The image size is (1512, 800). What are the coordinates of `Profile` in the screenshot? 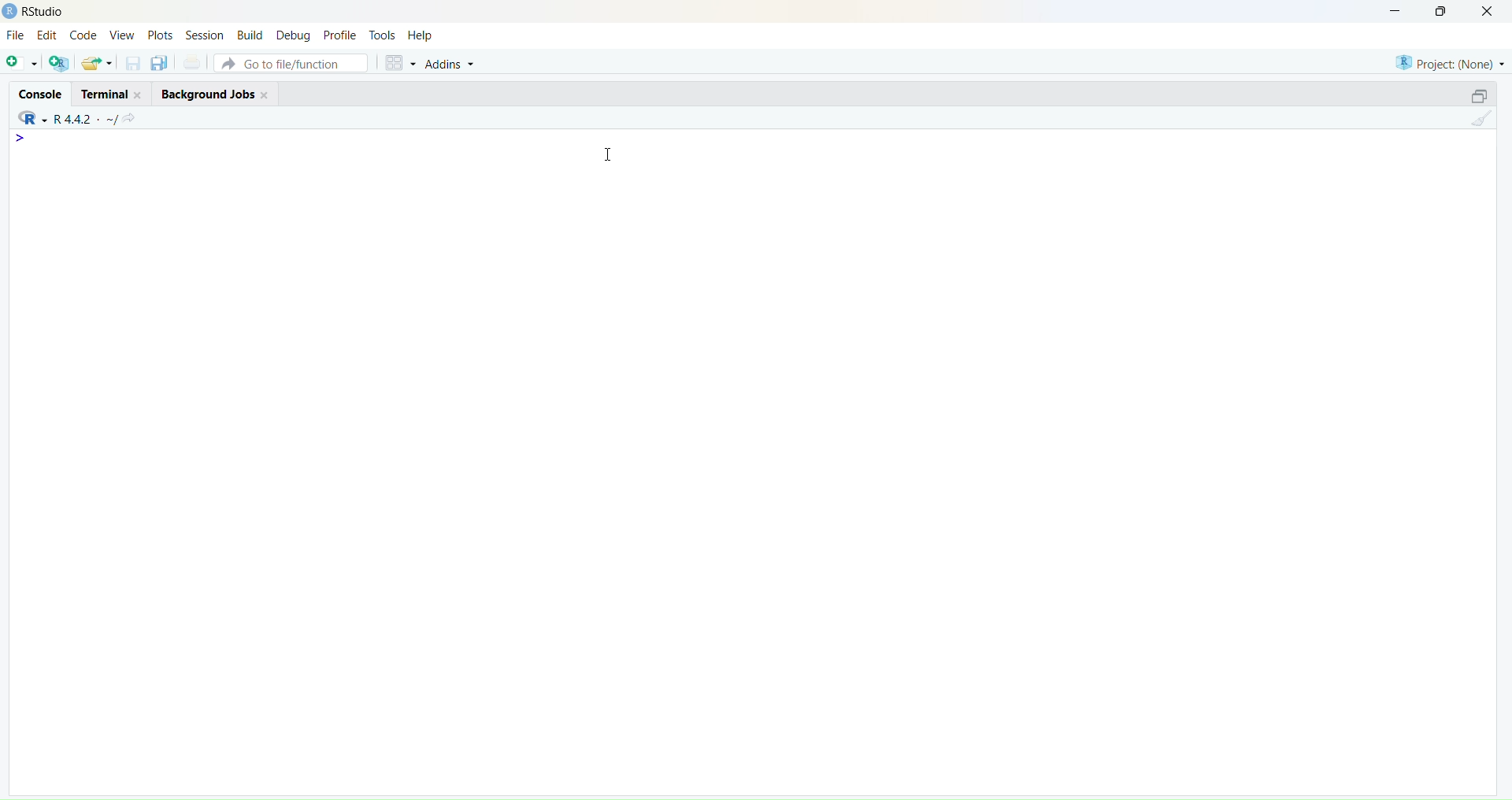 It's located at (340, 36).